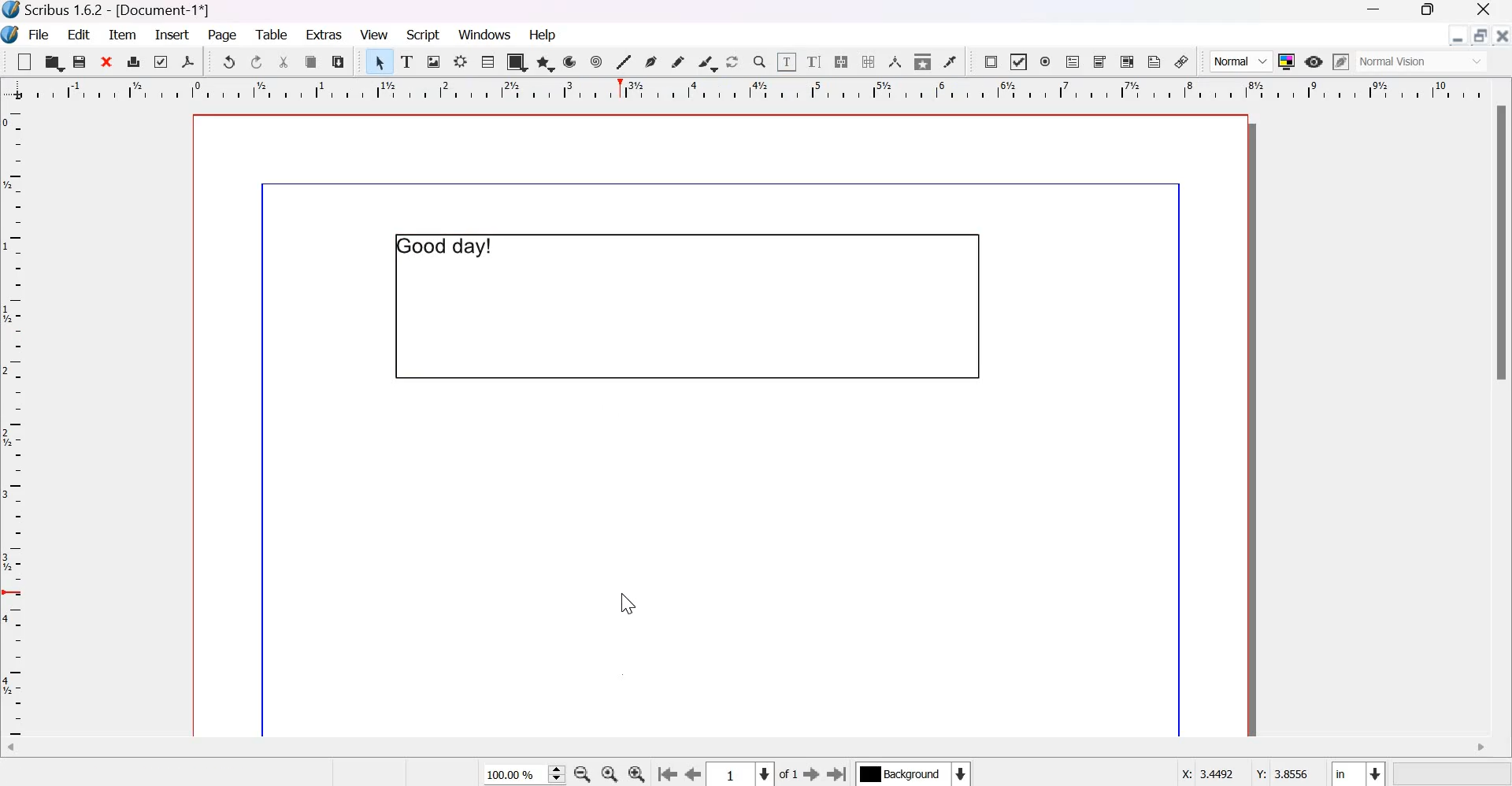  Describe the element at coordinates (814, 61) in the screenshot. I see `edit text with story editor` at that location.